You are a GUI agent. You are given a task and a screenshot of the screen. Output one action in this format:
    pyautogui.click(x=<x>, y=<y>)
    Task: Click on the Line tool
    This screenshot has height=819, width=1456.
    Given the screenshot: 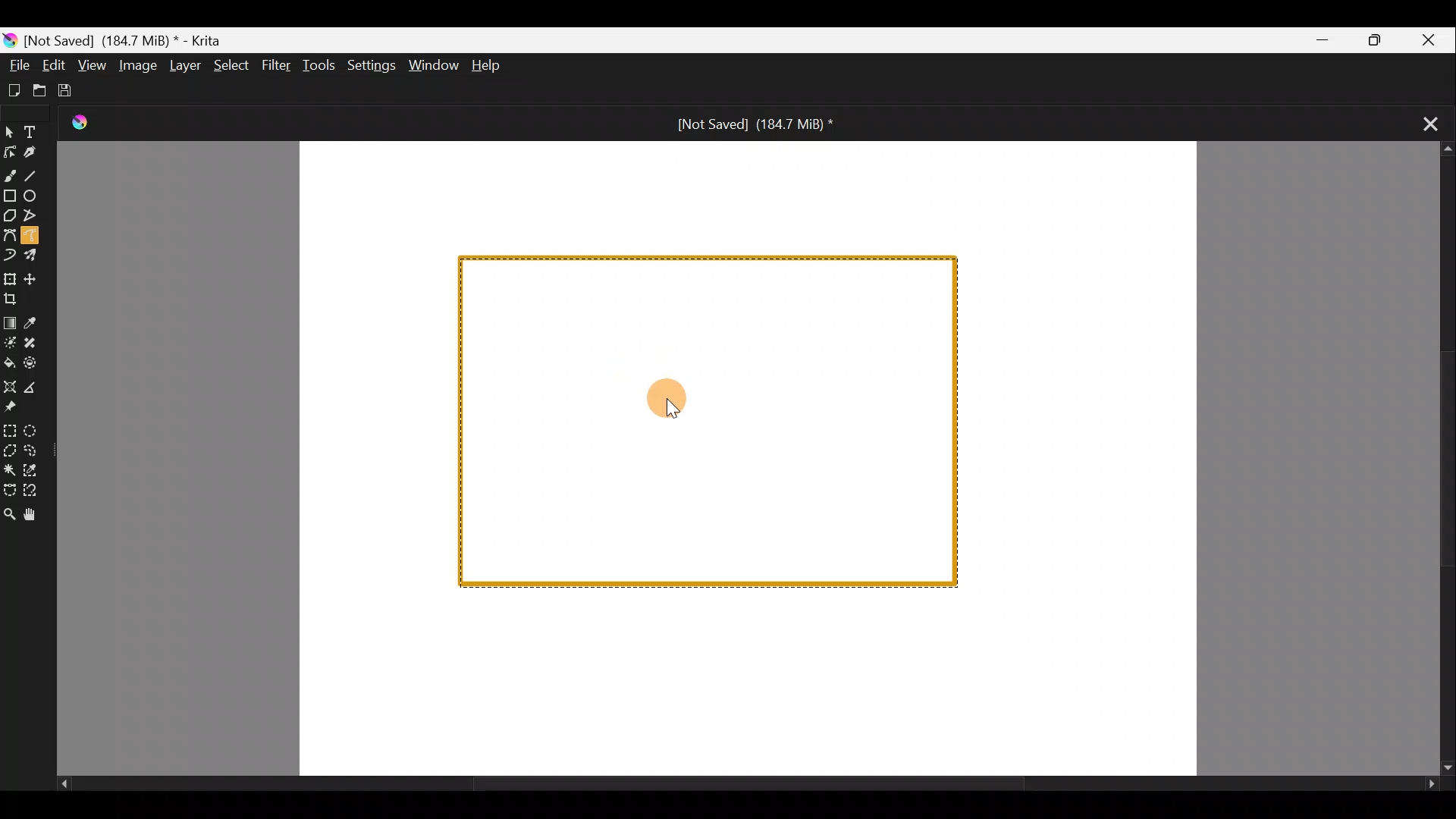 What is the action you would take?
    pyautogui.click(x=33, y=175)
    